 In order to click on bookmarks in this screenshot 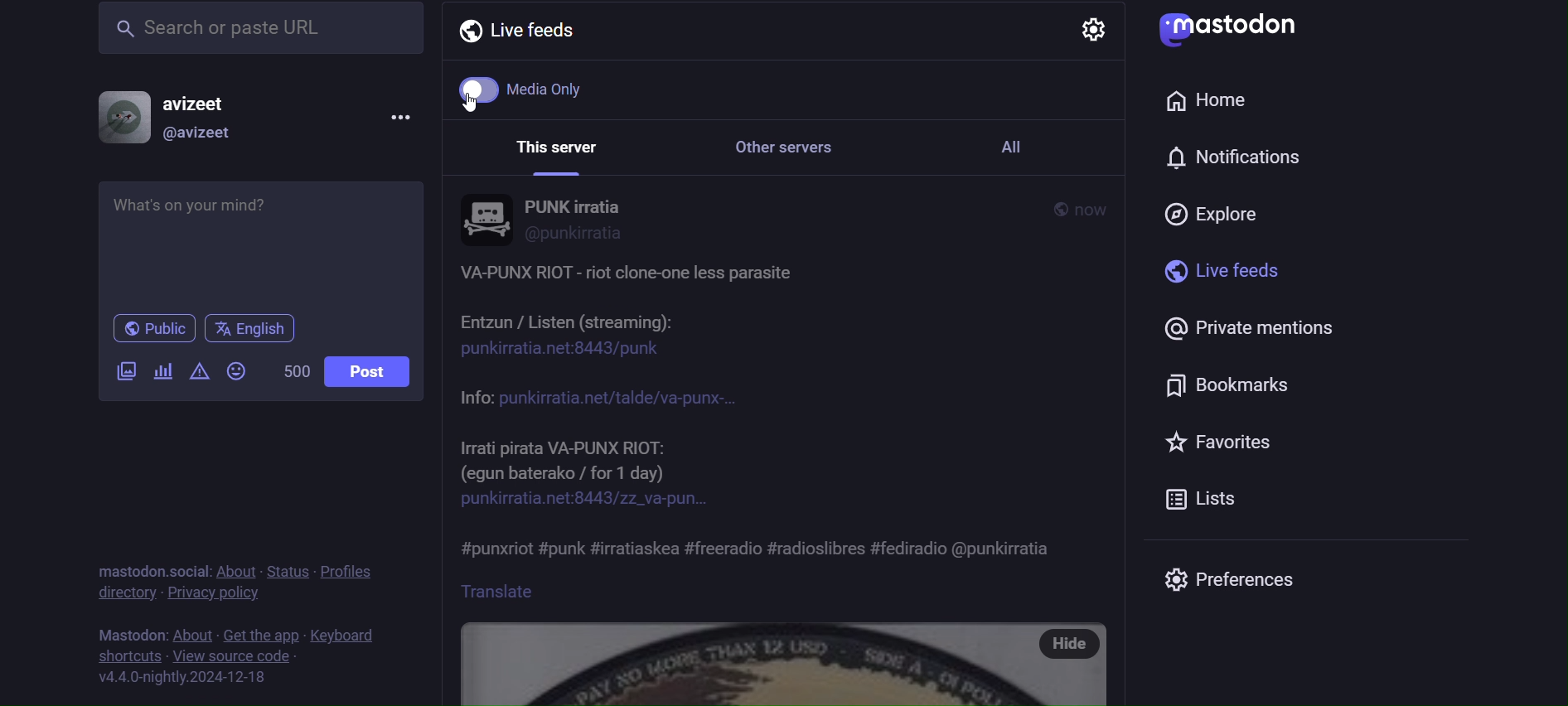, I will do `click(1236, 384)`.